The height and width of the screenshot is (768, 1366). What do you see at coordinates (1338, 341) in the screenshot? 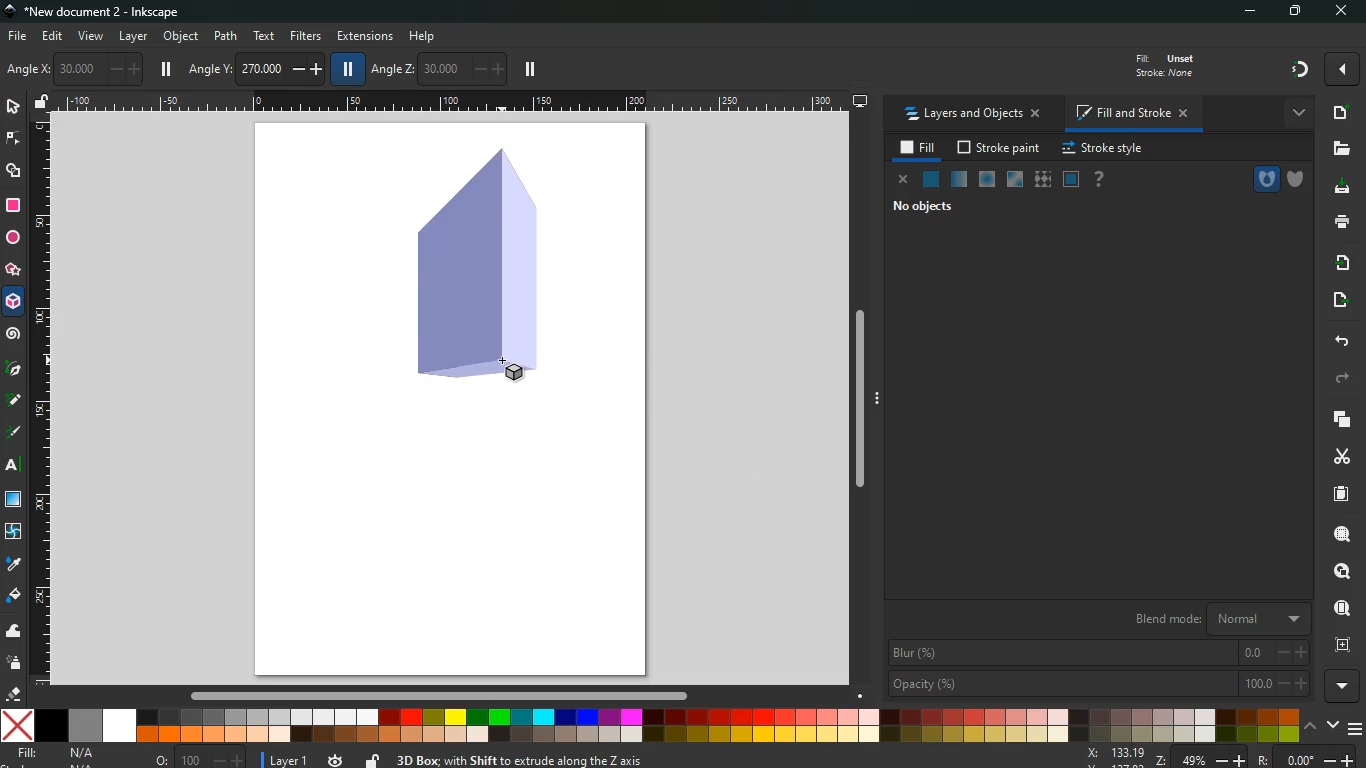
I see `back` at bounding box center [1338, 341].